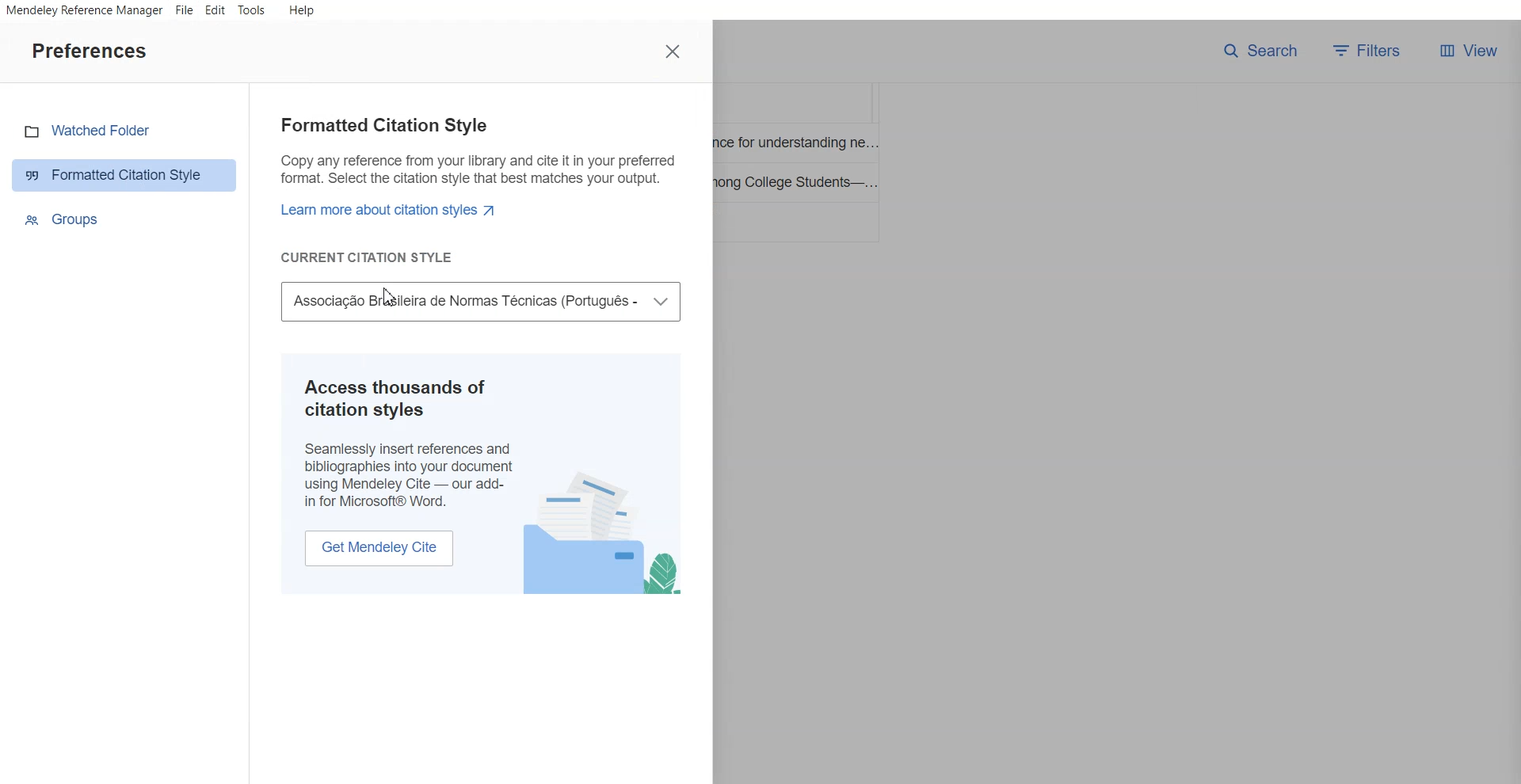 The height and width of the screenshot is (784, 1521). What do you see at coordinates (252, 11) in the screenshot?
I see `Tools` at bounding box center [252, 11].